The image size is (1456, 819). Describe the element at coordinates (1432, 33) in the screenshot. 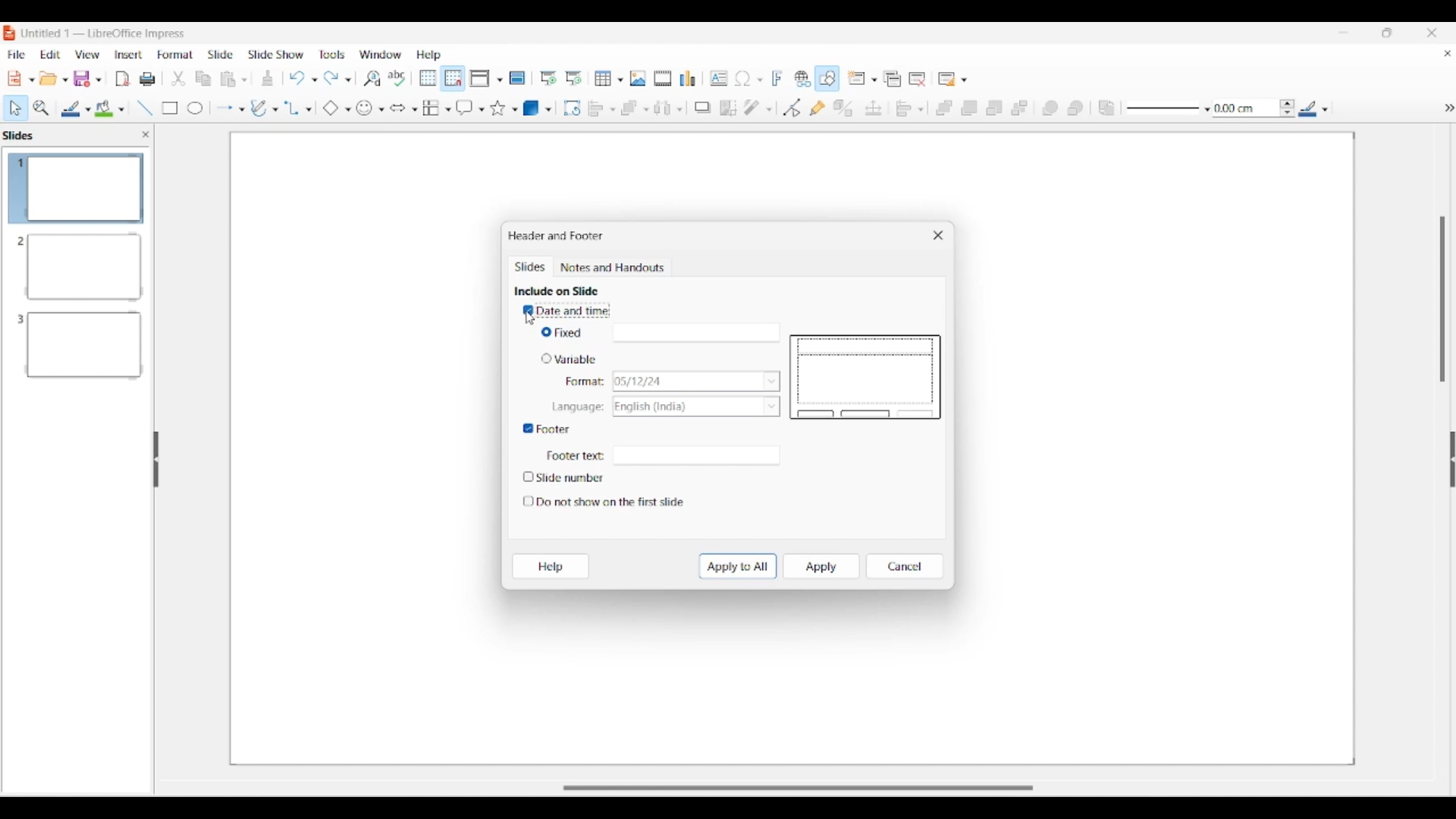

I see `Close interface` at that location.